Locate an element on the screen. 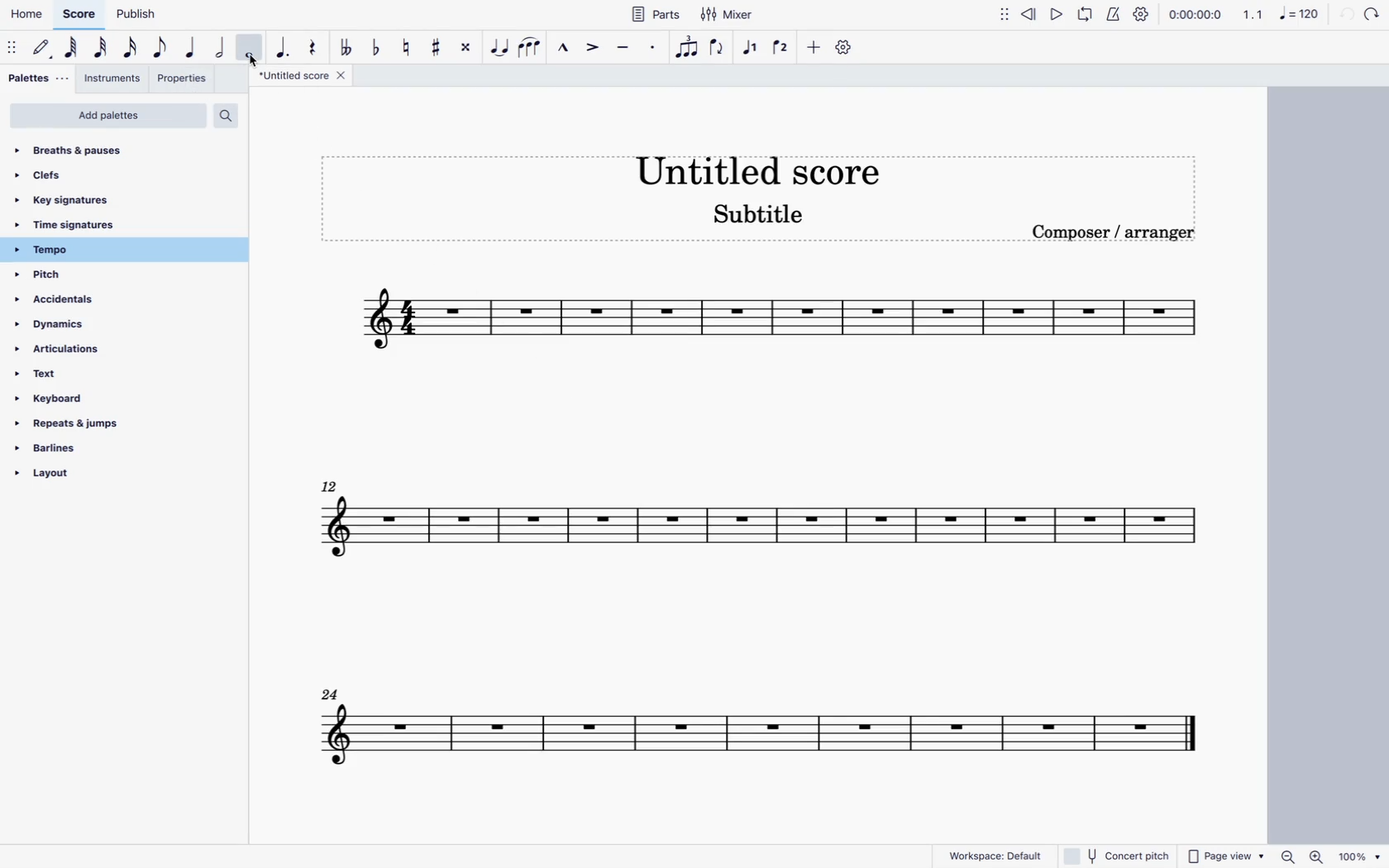  clefs is located at coordinates (112, 179).